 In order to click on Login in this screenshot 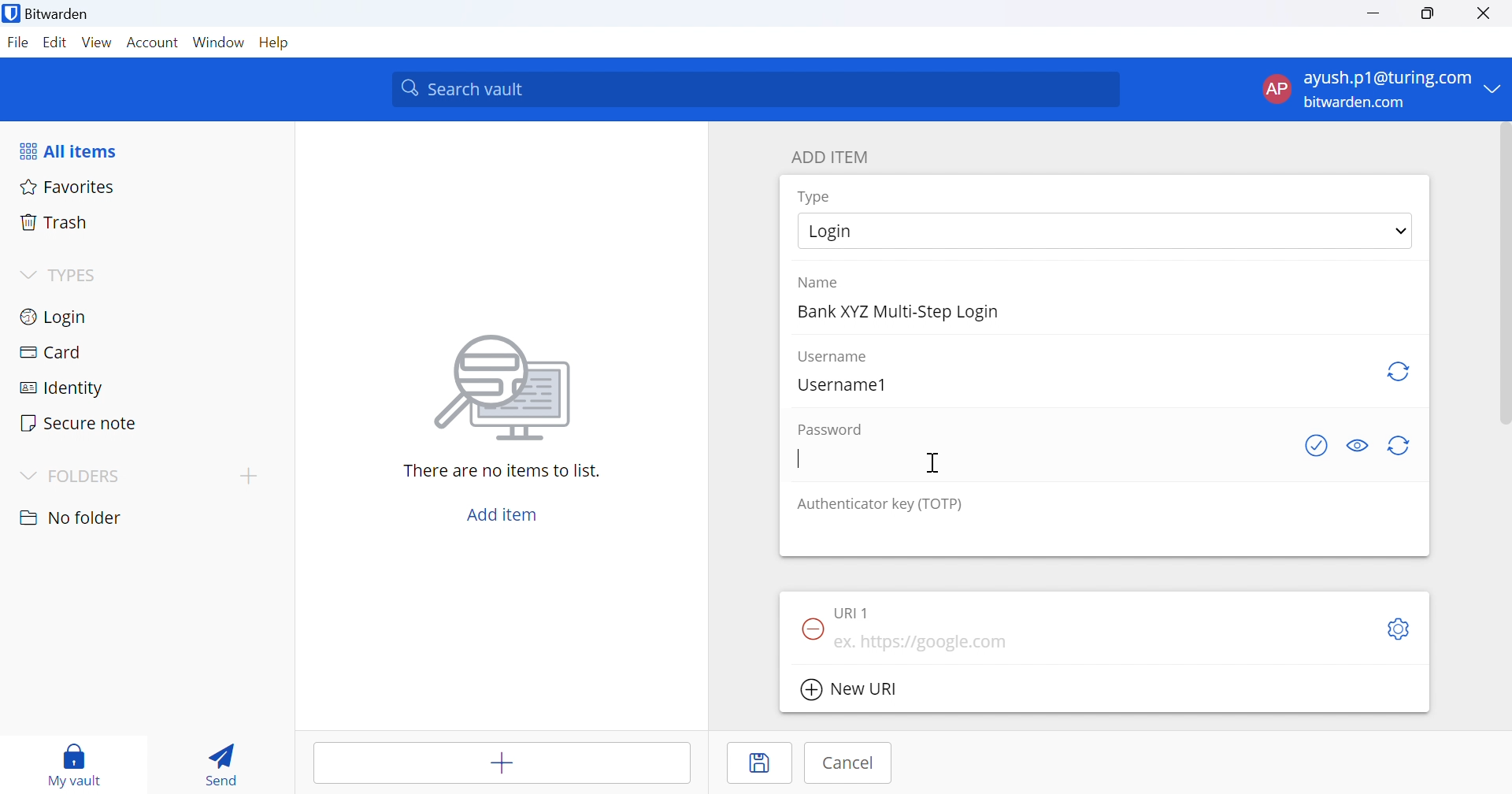, I will do `click(56, 315)`.